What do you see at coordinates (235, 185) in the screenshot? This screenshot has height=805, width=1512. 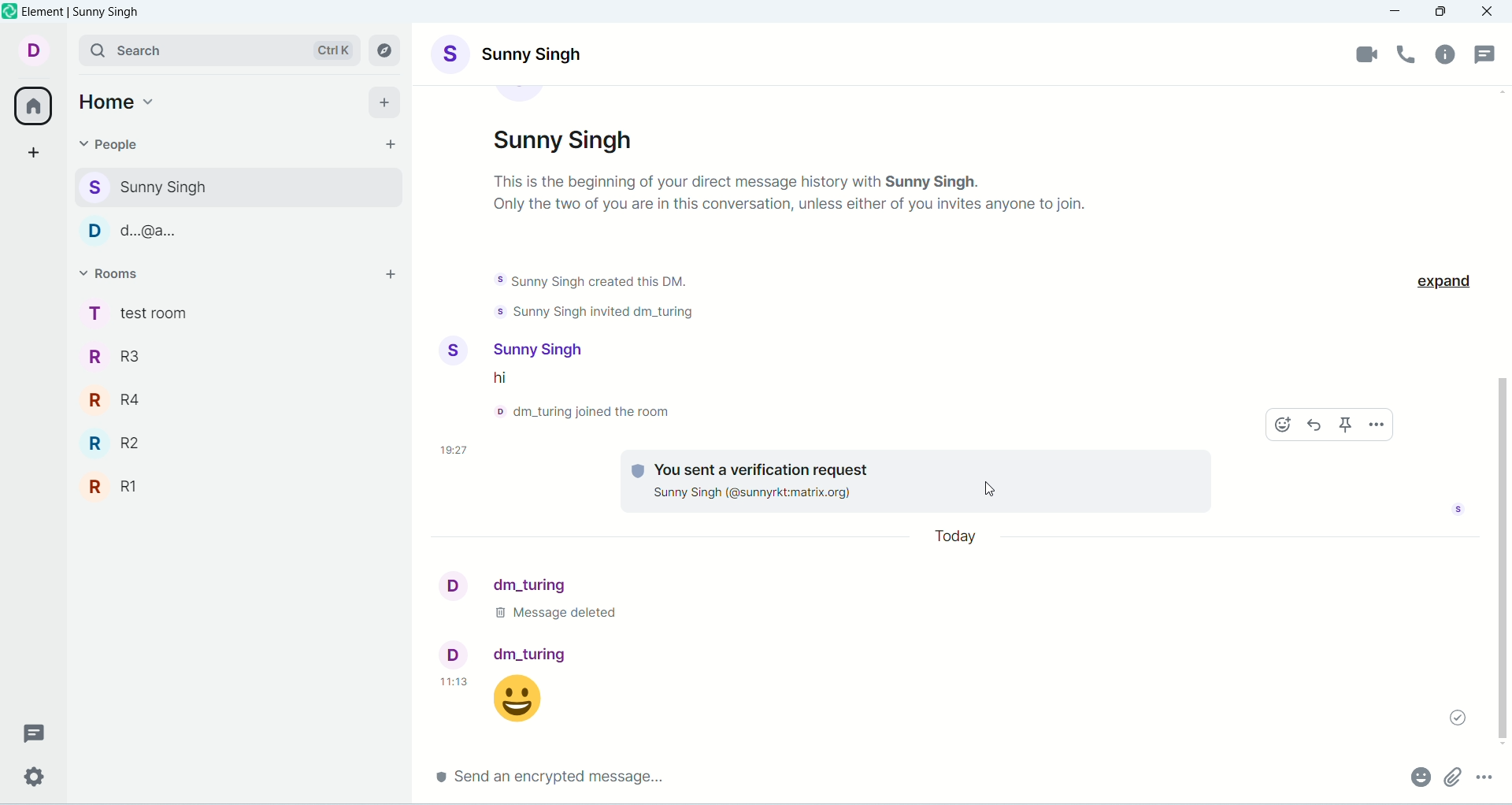 I see `sunny singh` at bounding box center [235, 185].